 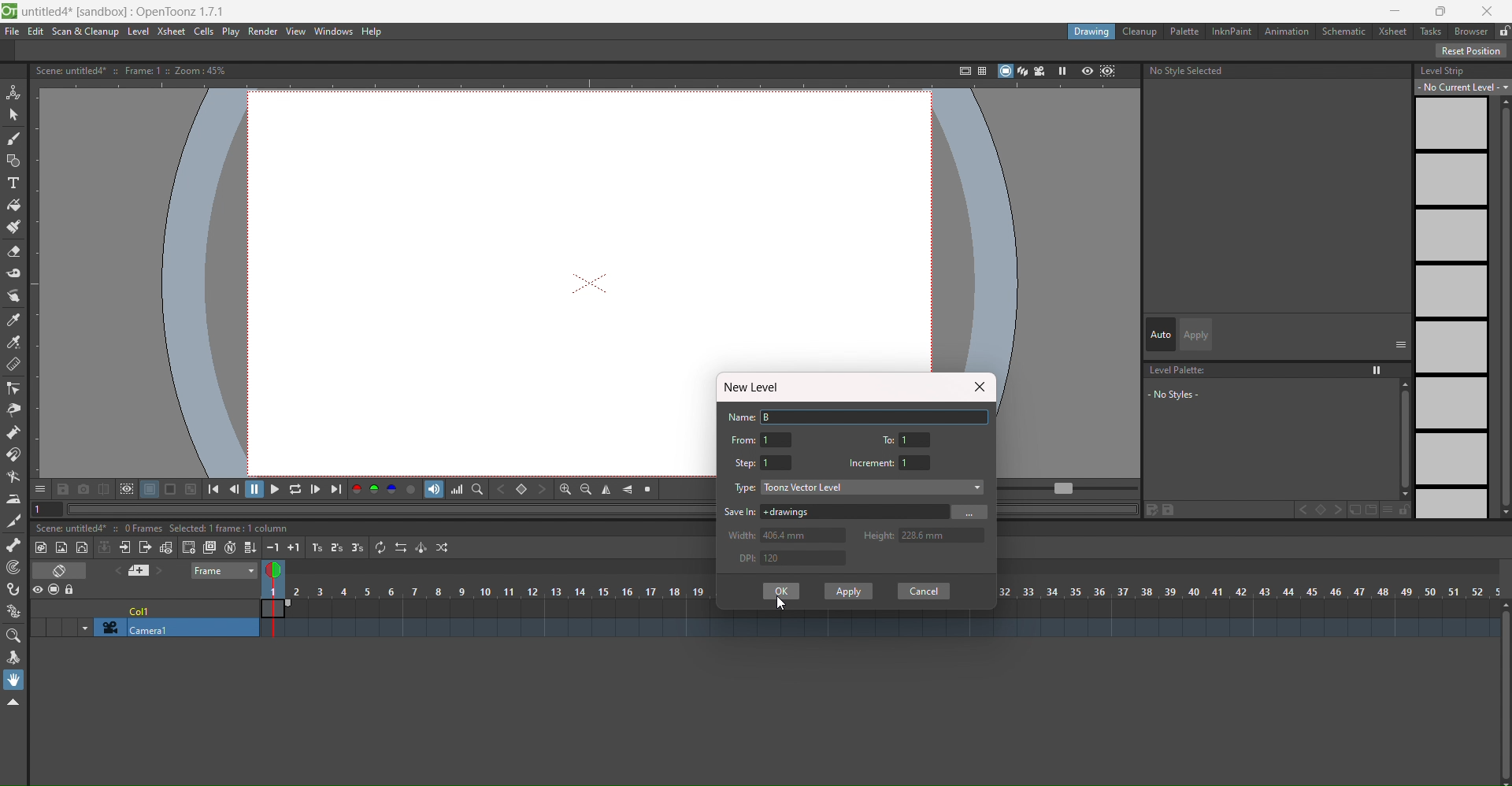 I want to click on repeat, so click(x=380, y=547).